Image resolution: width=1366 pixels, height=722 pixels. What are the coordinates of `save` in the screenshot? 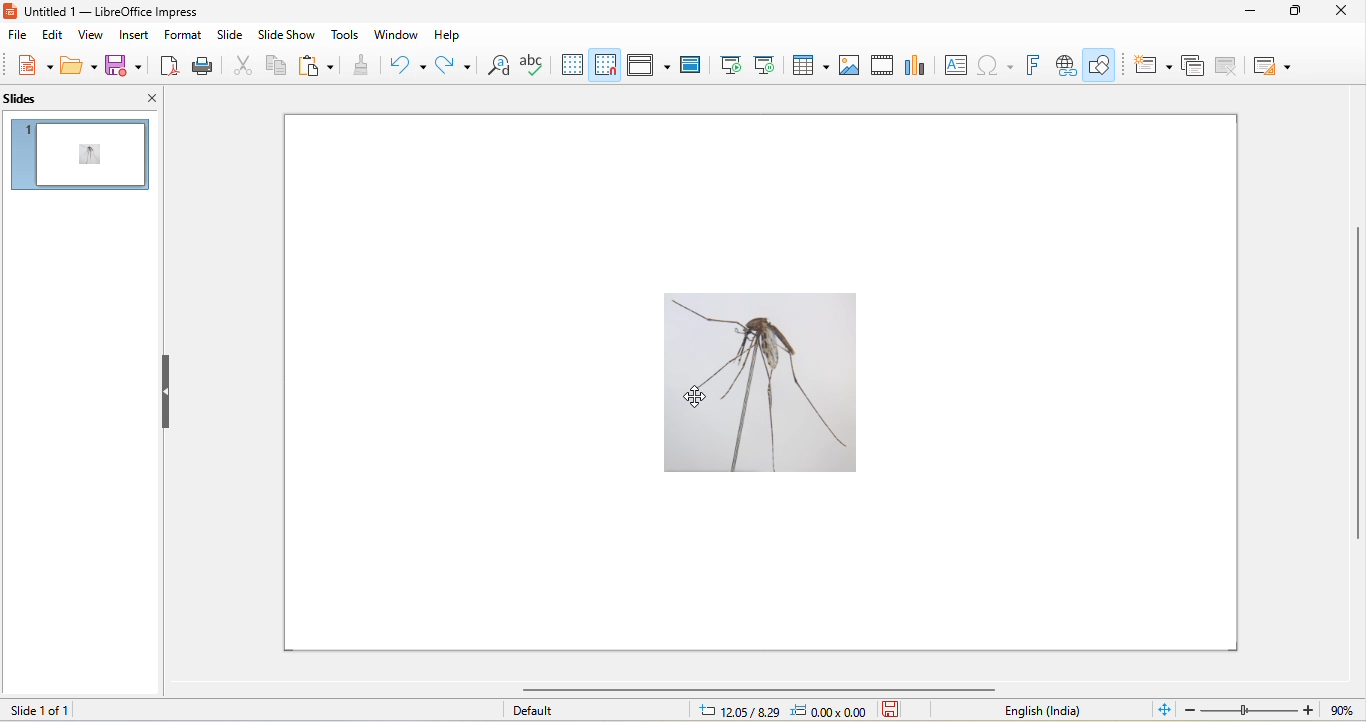 It's located at (126, 67).